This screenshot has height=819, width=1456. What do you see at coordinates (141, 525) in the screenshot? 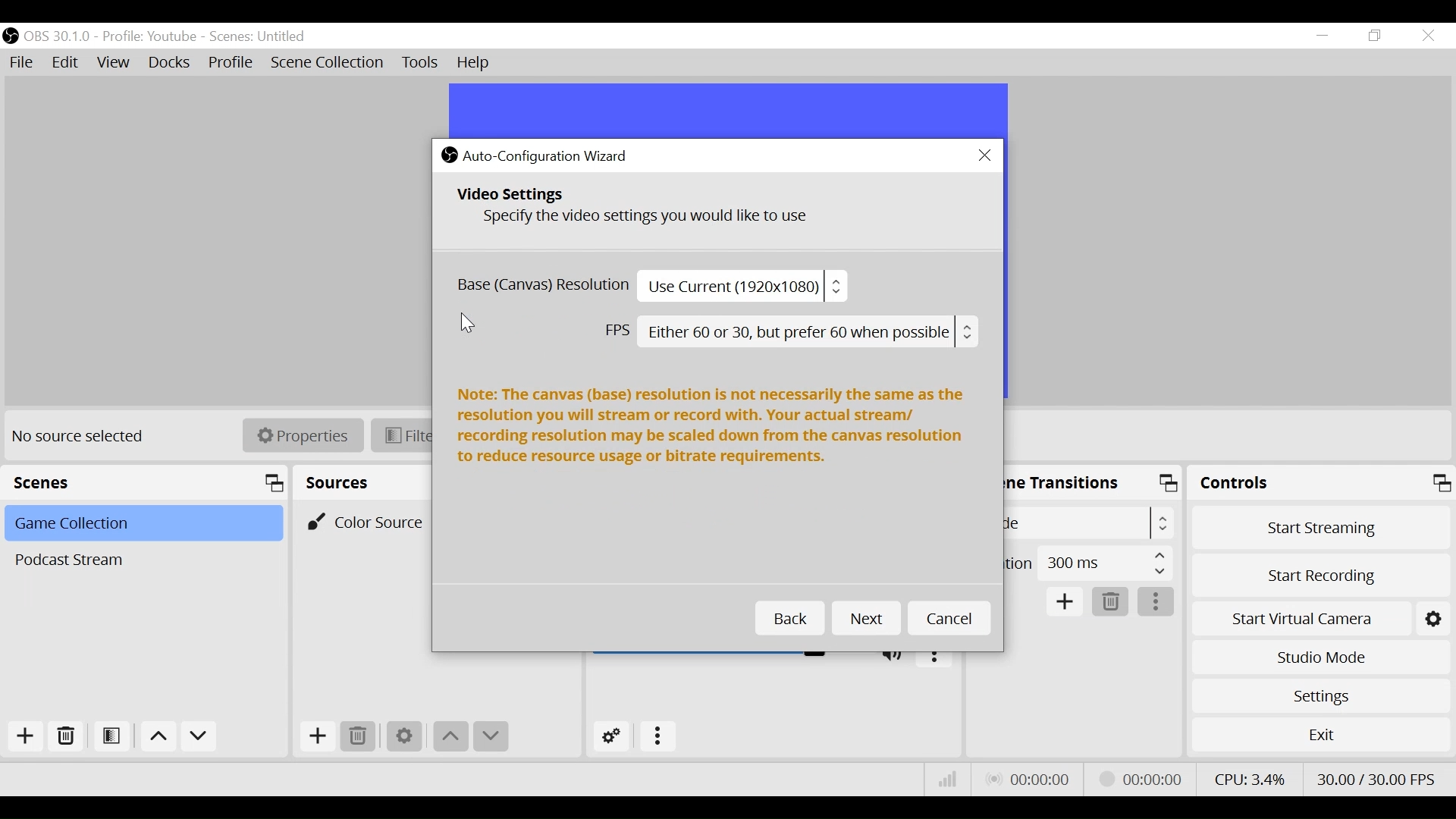
I see `Scene` at bounding box center [141, 525].